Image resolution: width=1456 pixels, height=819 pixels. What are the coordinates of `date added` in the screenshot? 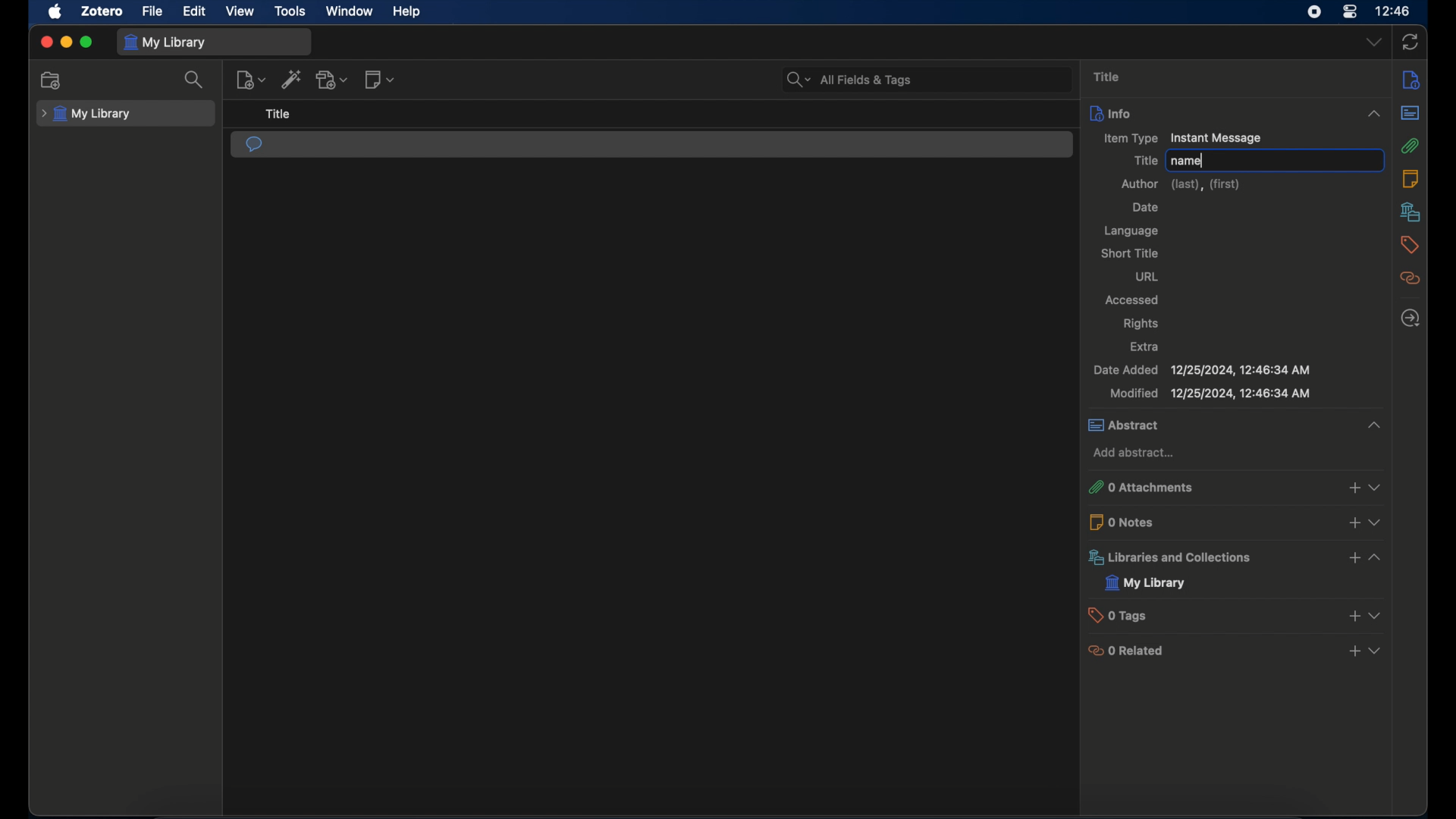 It's located at (1203, 369).